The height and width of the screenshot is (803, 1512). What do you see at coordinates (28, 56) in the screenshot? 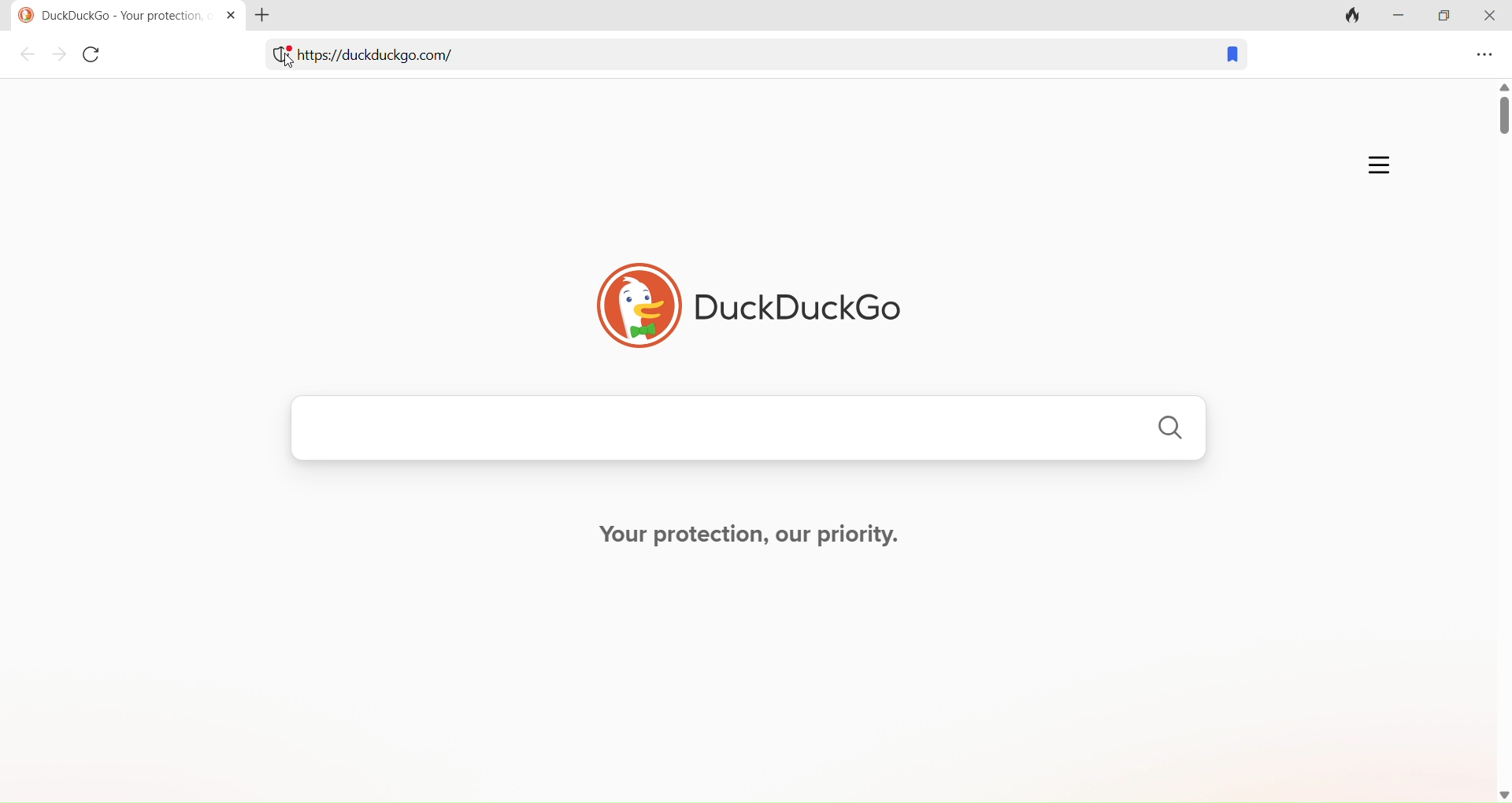
I see `back` at bounding box center [28, 56].